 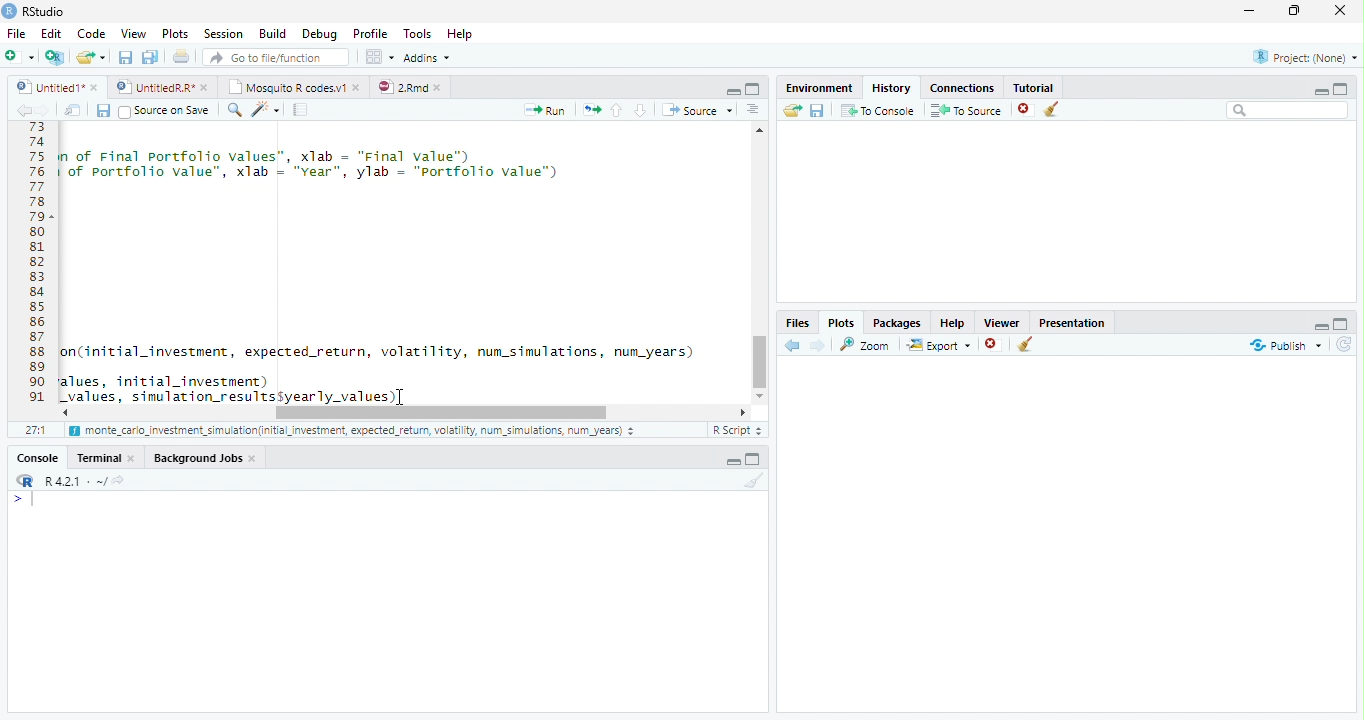 I want to click on Scroll down, so click(x=761, y=393).